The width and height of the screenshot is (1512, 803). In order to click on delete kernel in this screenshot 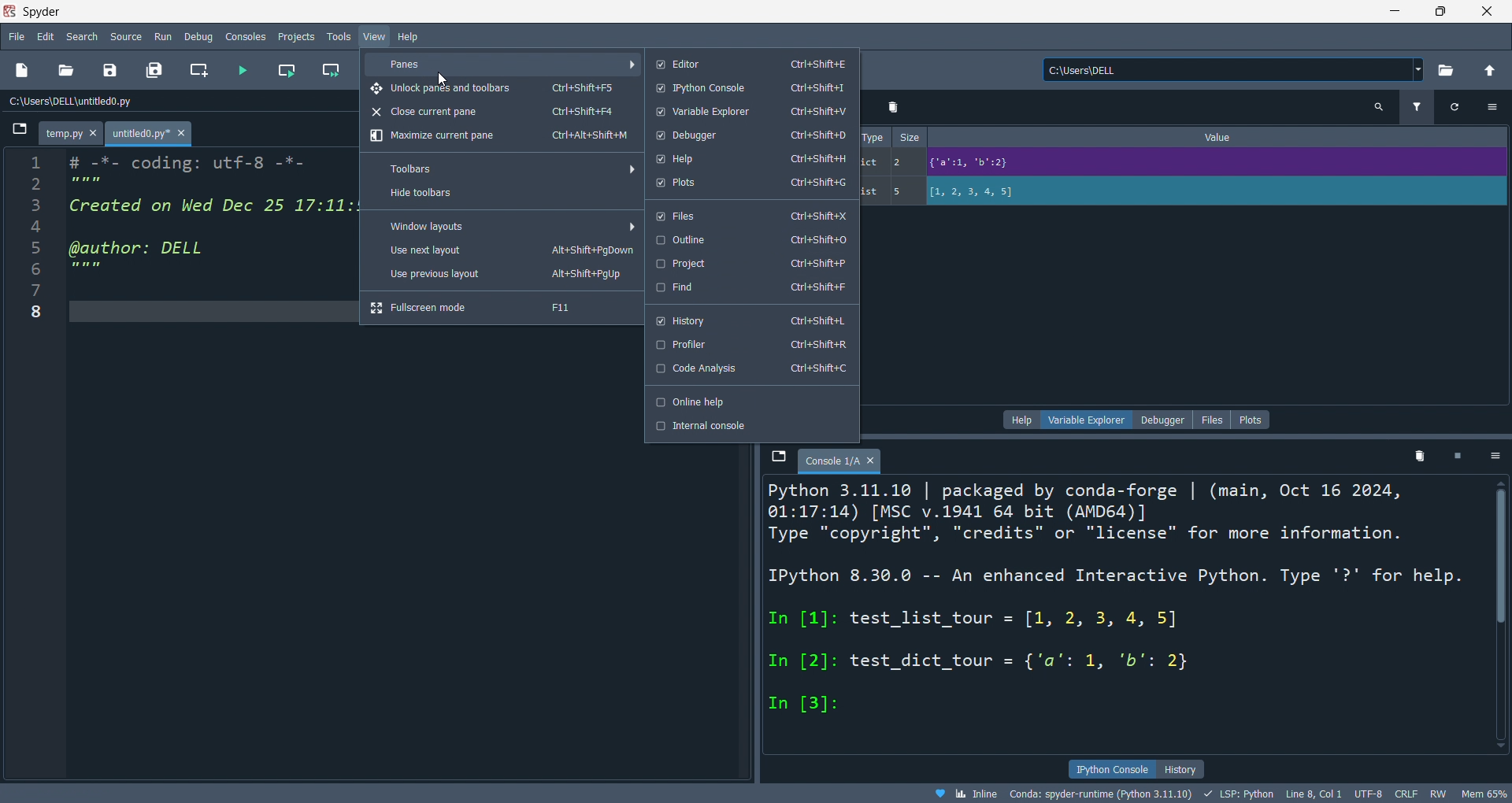, I will do `click(1457, 458)`.